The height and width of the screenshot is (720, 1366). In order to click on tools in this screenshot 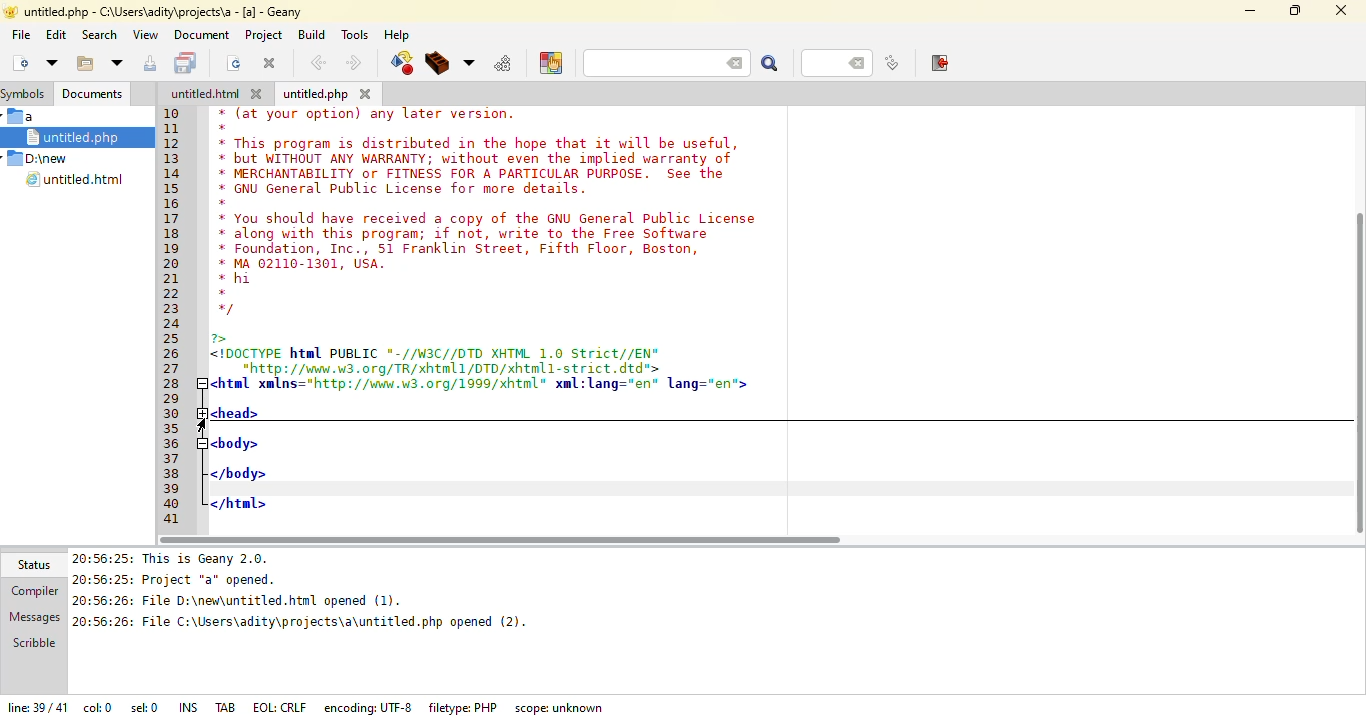, I will do `click(355, 34)`.